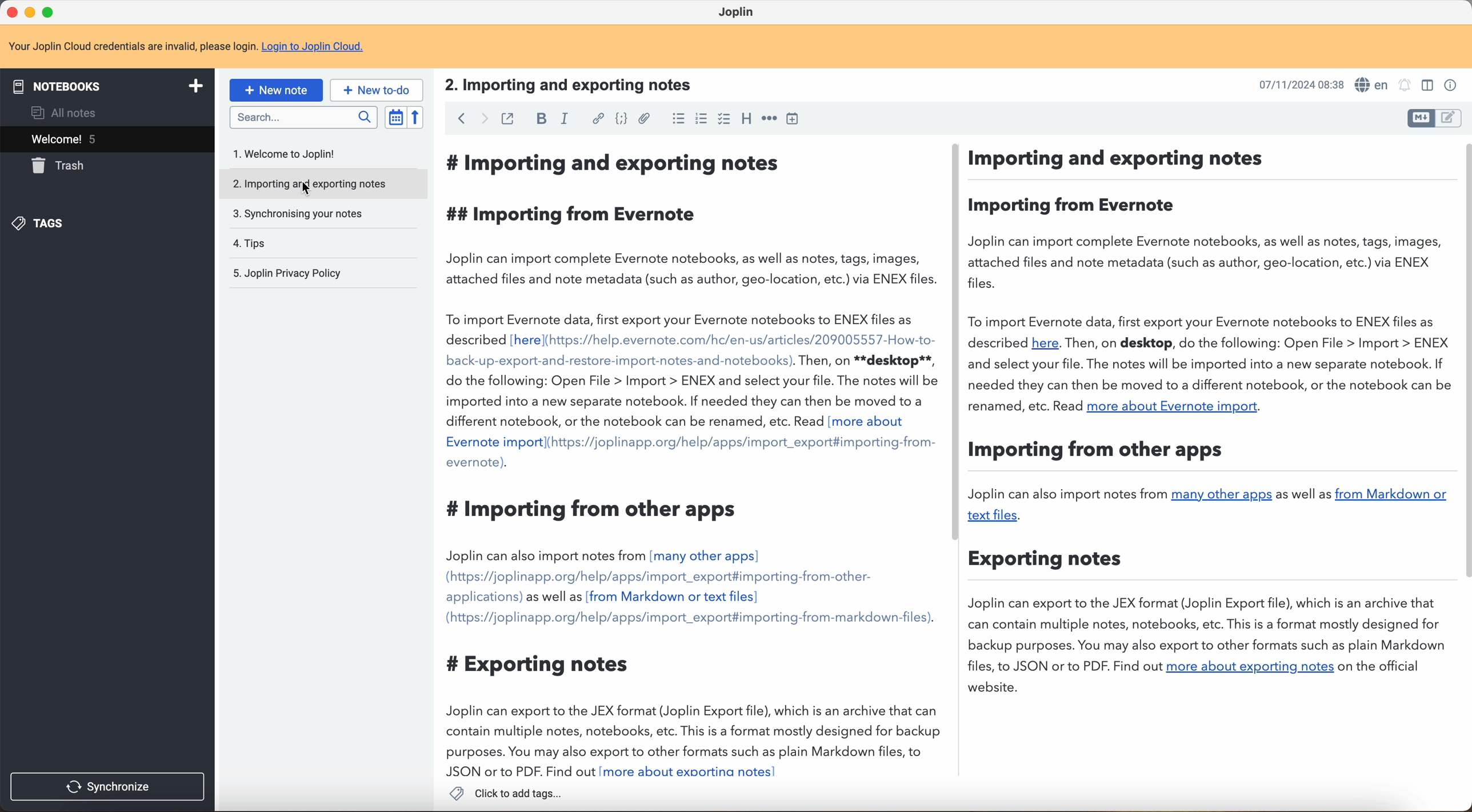 Image resolution: width=1472 pixels, height=812 pixels. I want to click on 21/12/2024 21:23, so click(1295, 84).